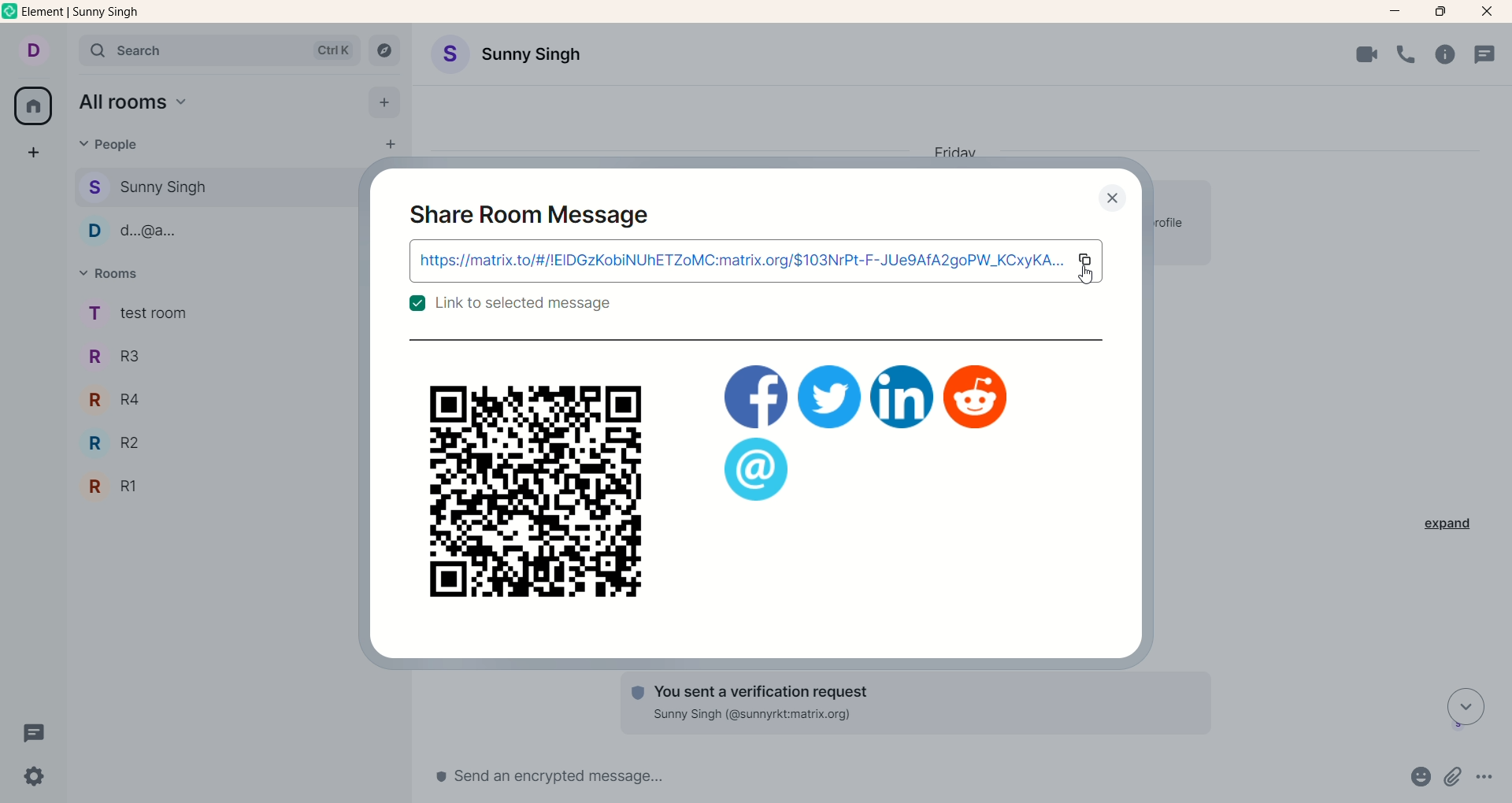 Image resolution: width=1512 pixels, height=803 pixels. What do you see at coordinates (738, 263) in the screenshot?
I see `link` at bounding box center [738, 263].